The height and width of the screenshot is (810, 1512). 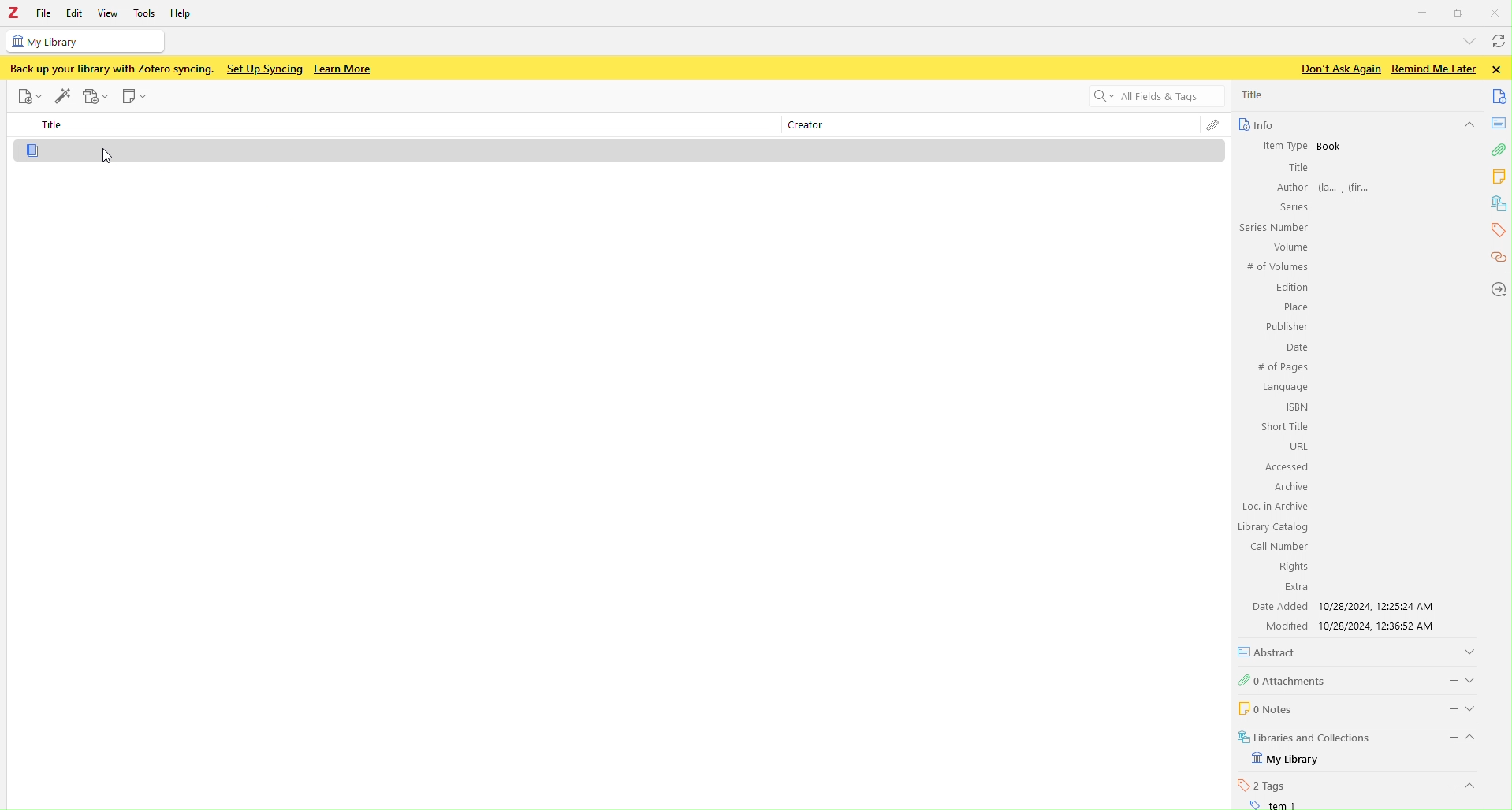 I want to click on Tools, so click(x=145, y=13).